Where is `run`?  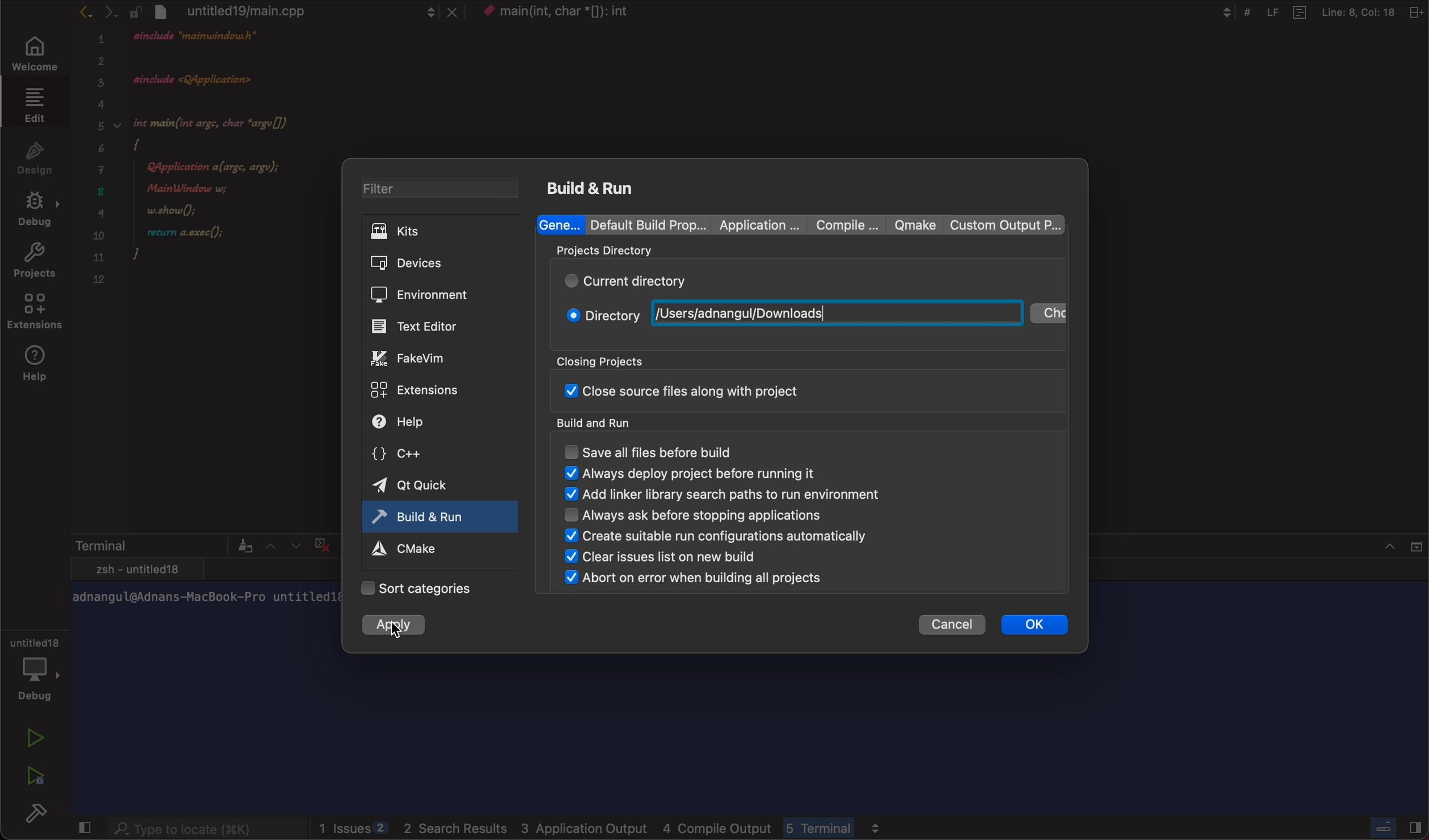 run is located at coordinates (35, 734).